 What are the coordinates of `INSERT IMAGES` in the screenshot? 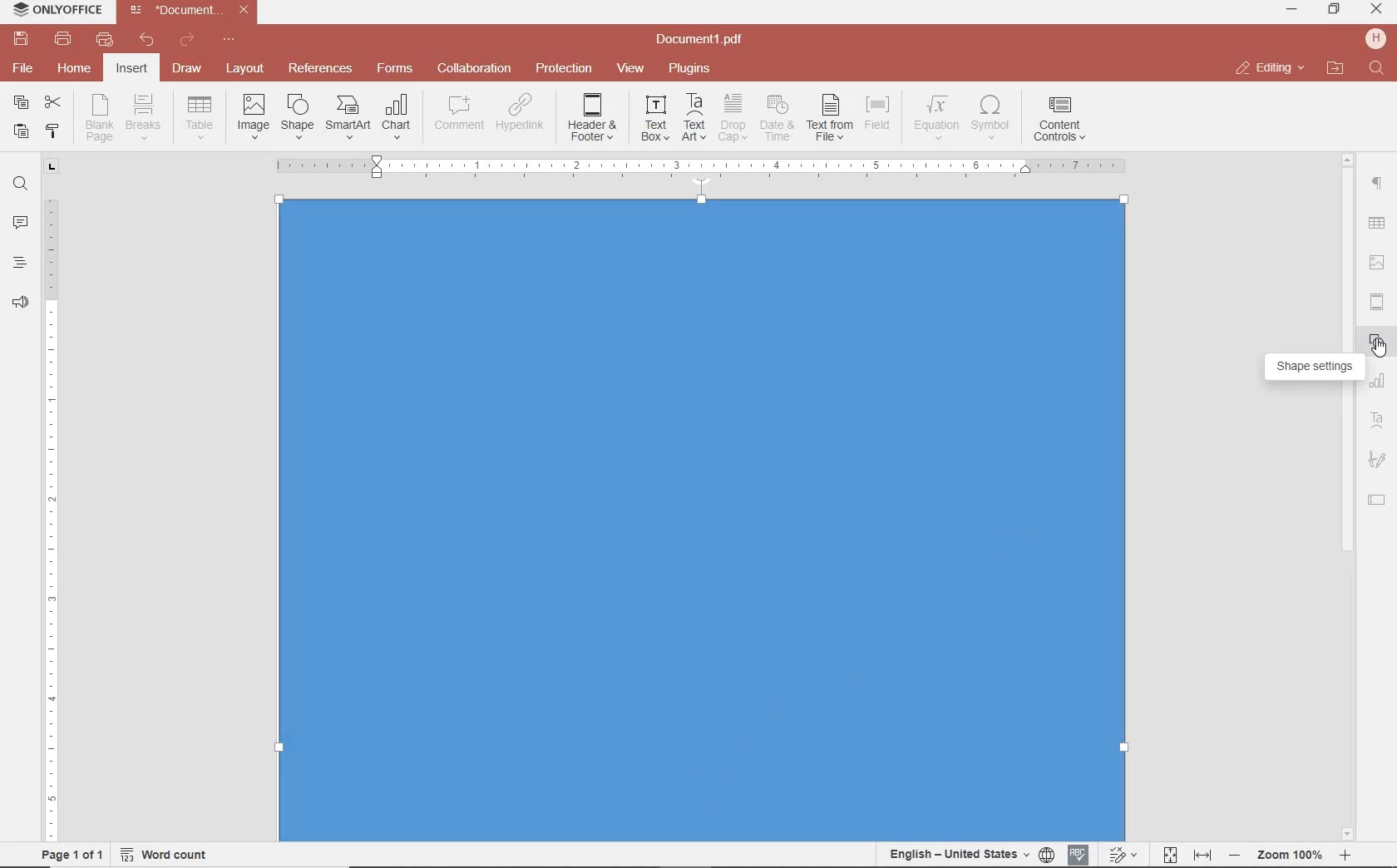 It's located at (254, 116).